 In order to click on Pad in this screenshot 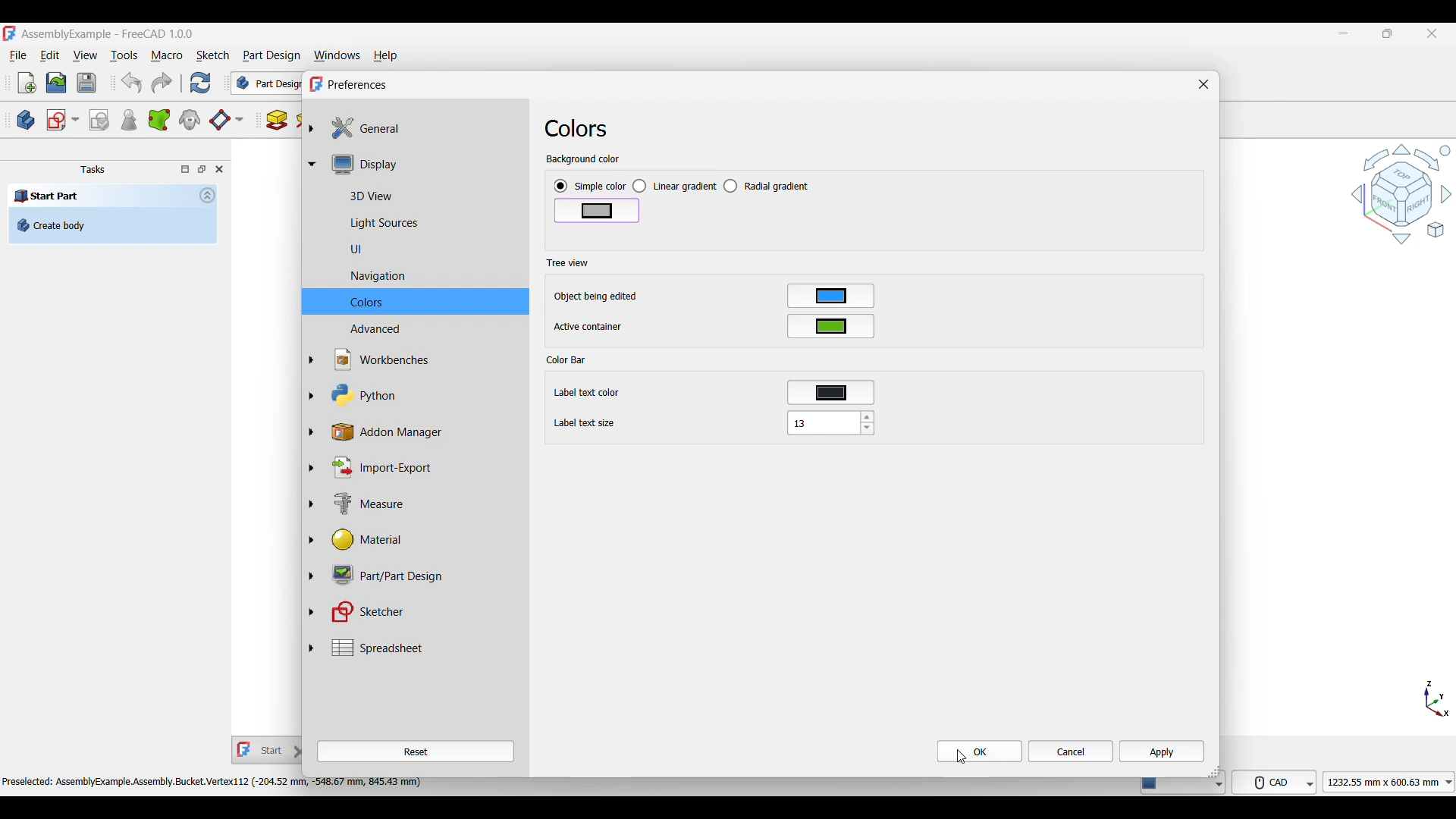, I will do `click(277, 120)`.